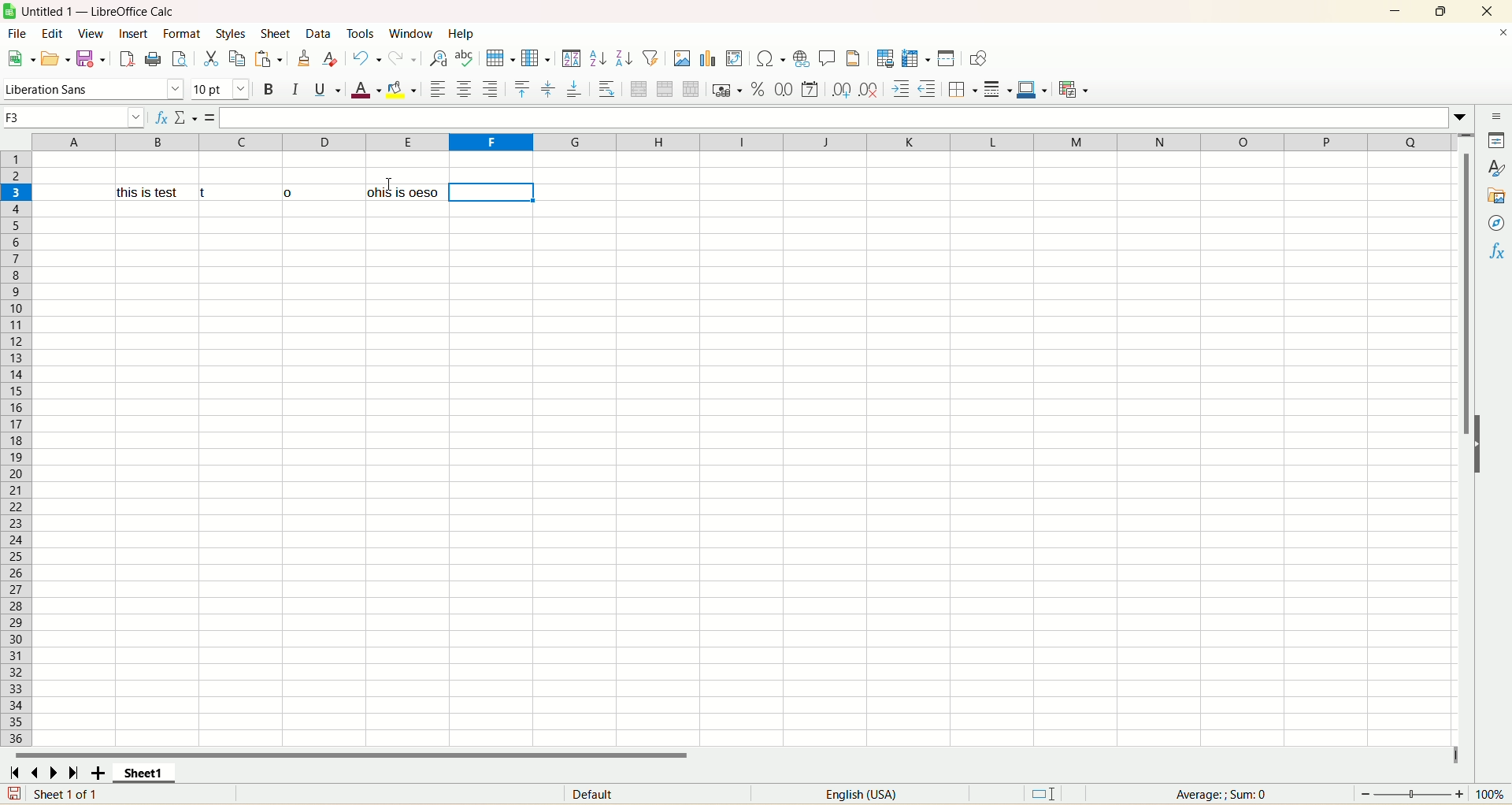 The width and height of the screenshot is (1512, 805). Describe the element at coordinates (1484, 10) in the screenshot. I see `close` at that location.